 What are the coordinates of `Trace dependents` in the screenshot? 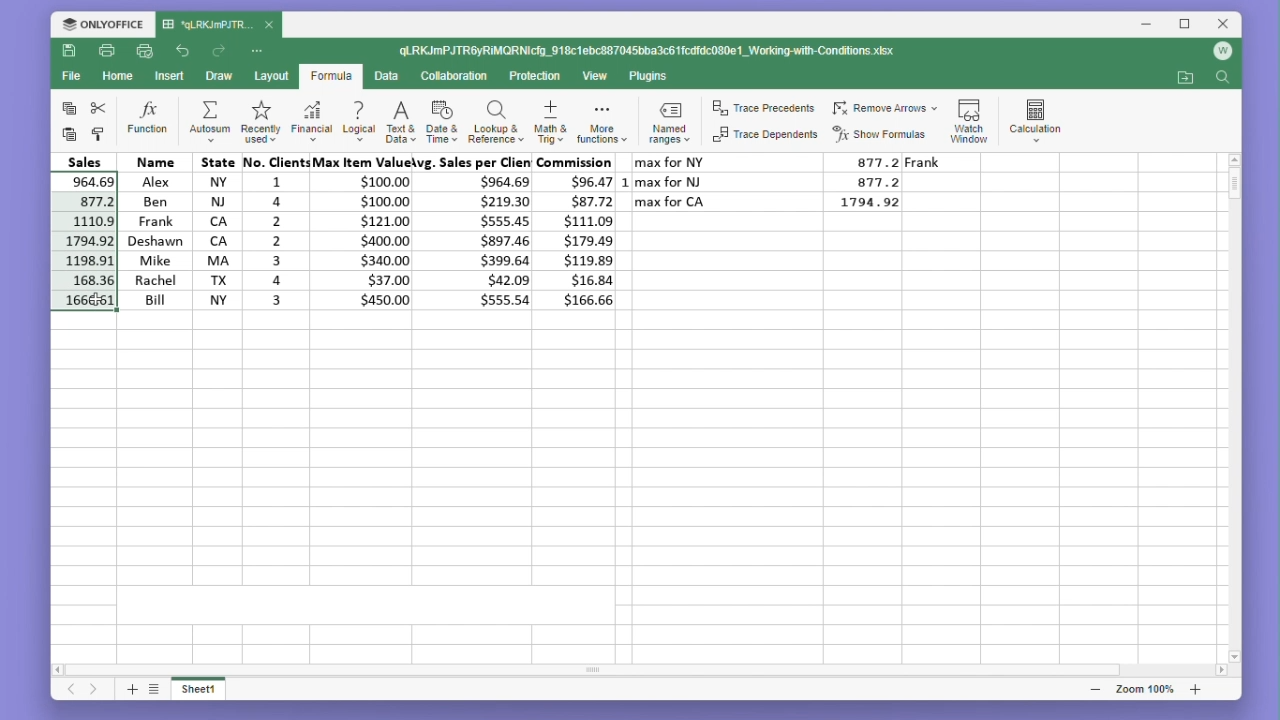 It's located at (766, 135).